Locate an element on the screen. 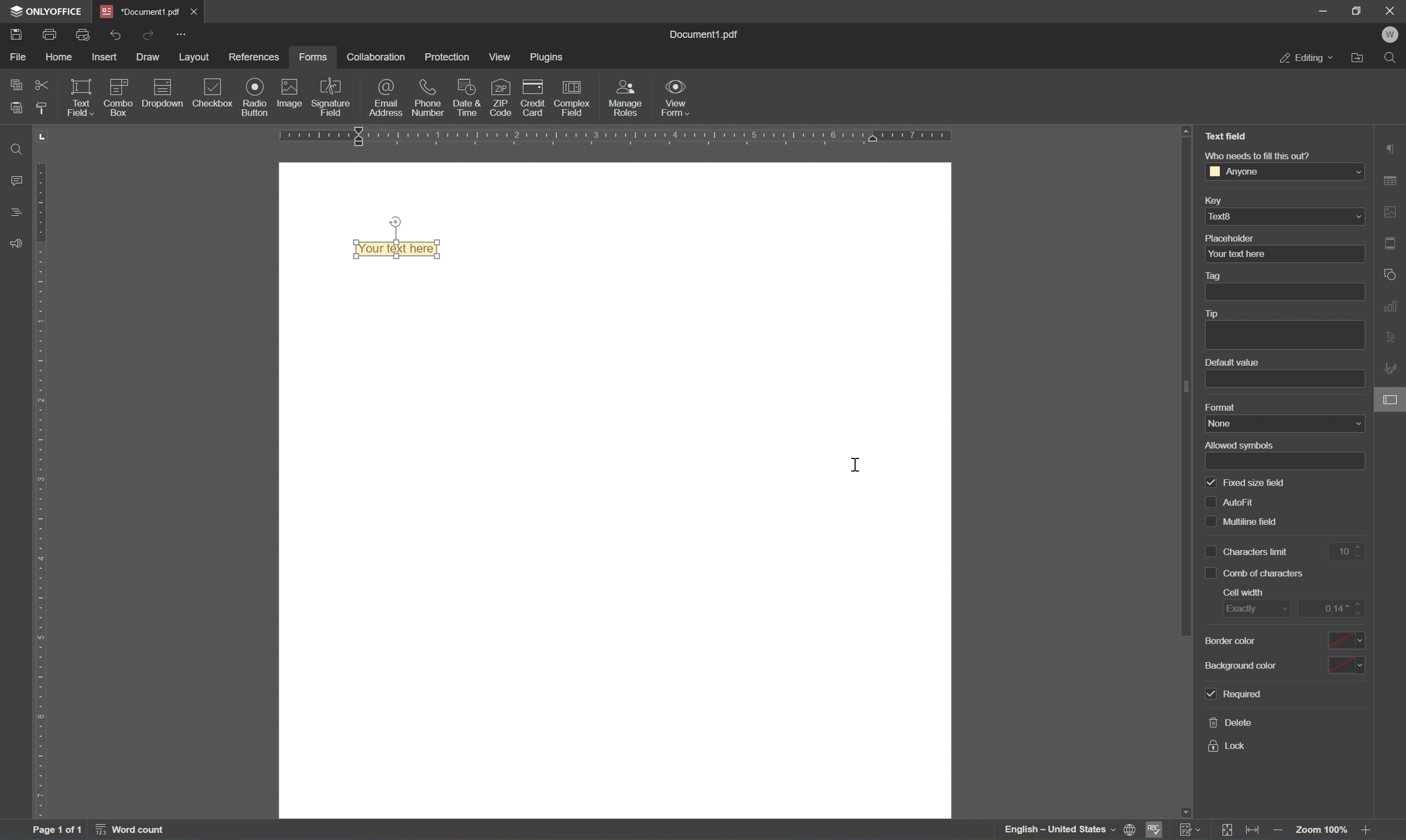 The image size is (1406, 840). cell width is located at coordinates (1243, 592).